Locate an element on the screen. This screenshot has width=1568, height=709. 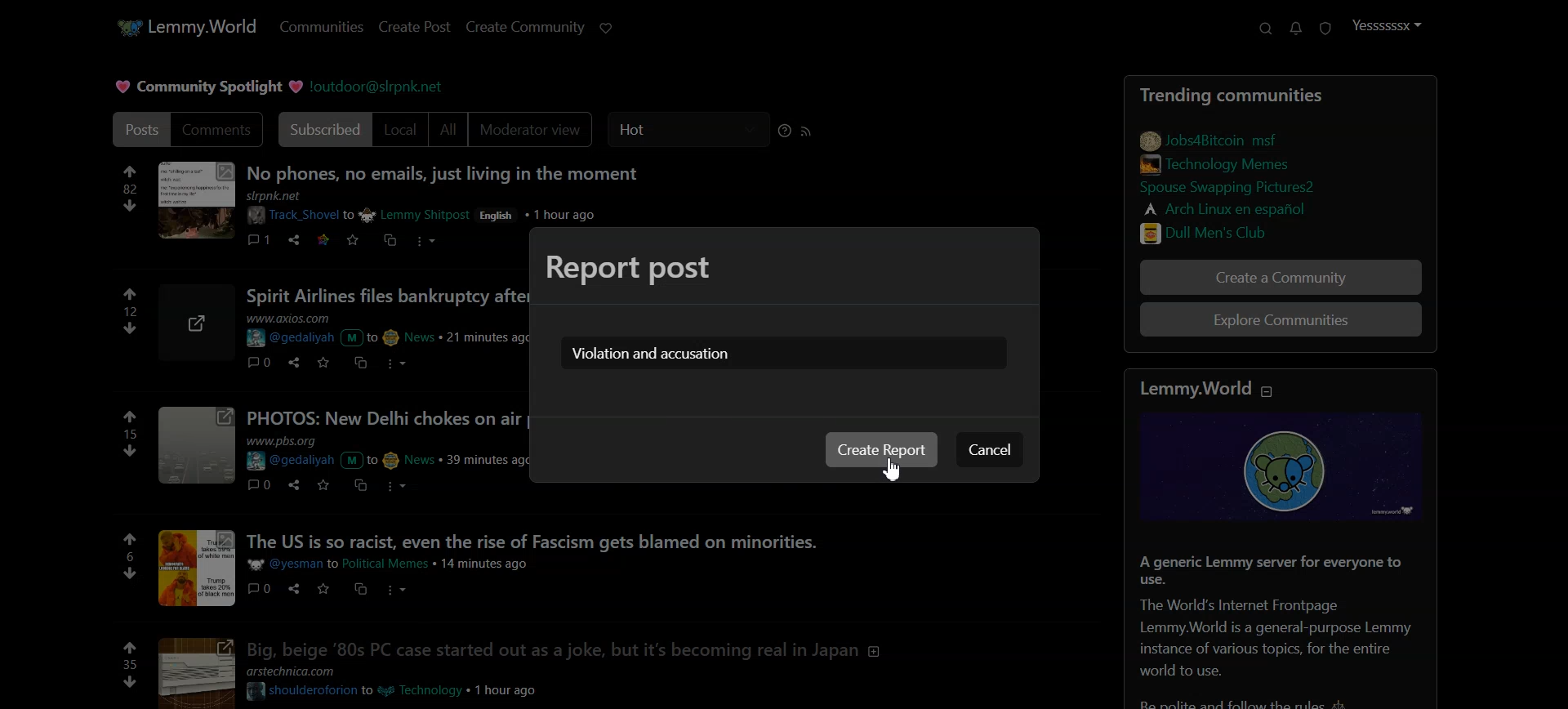
Cancel is located at coordinates (988, 449).